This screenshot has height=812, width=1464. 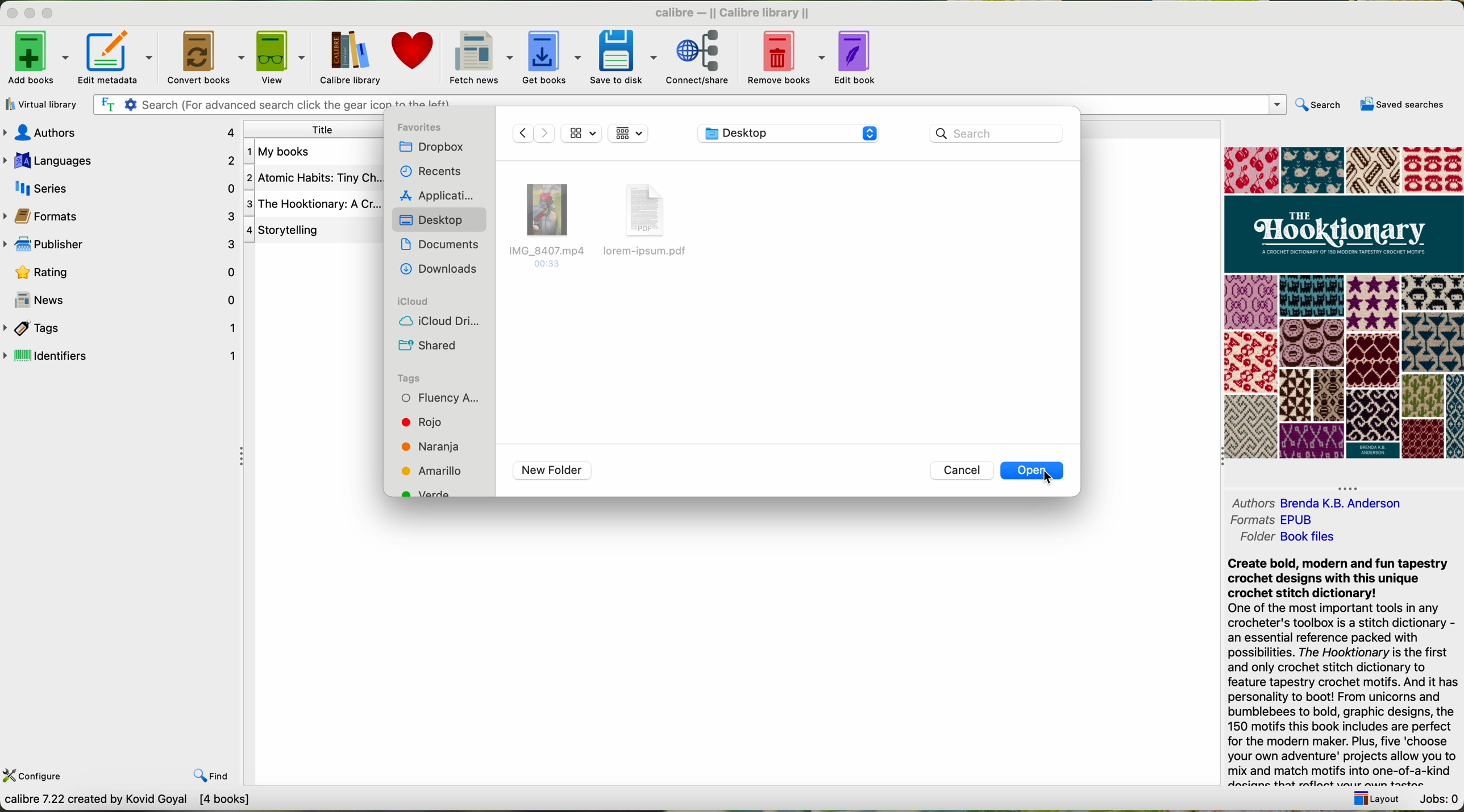 I want to click on identifiers, so click(x=121, y=355).